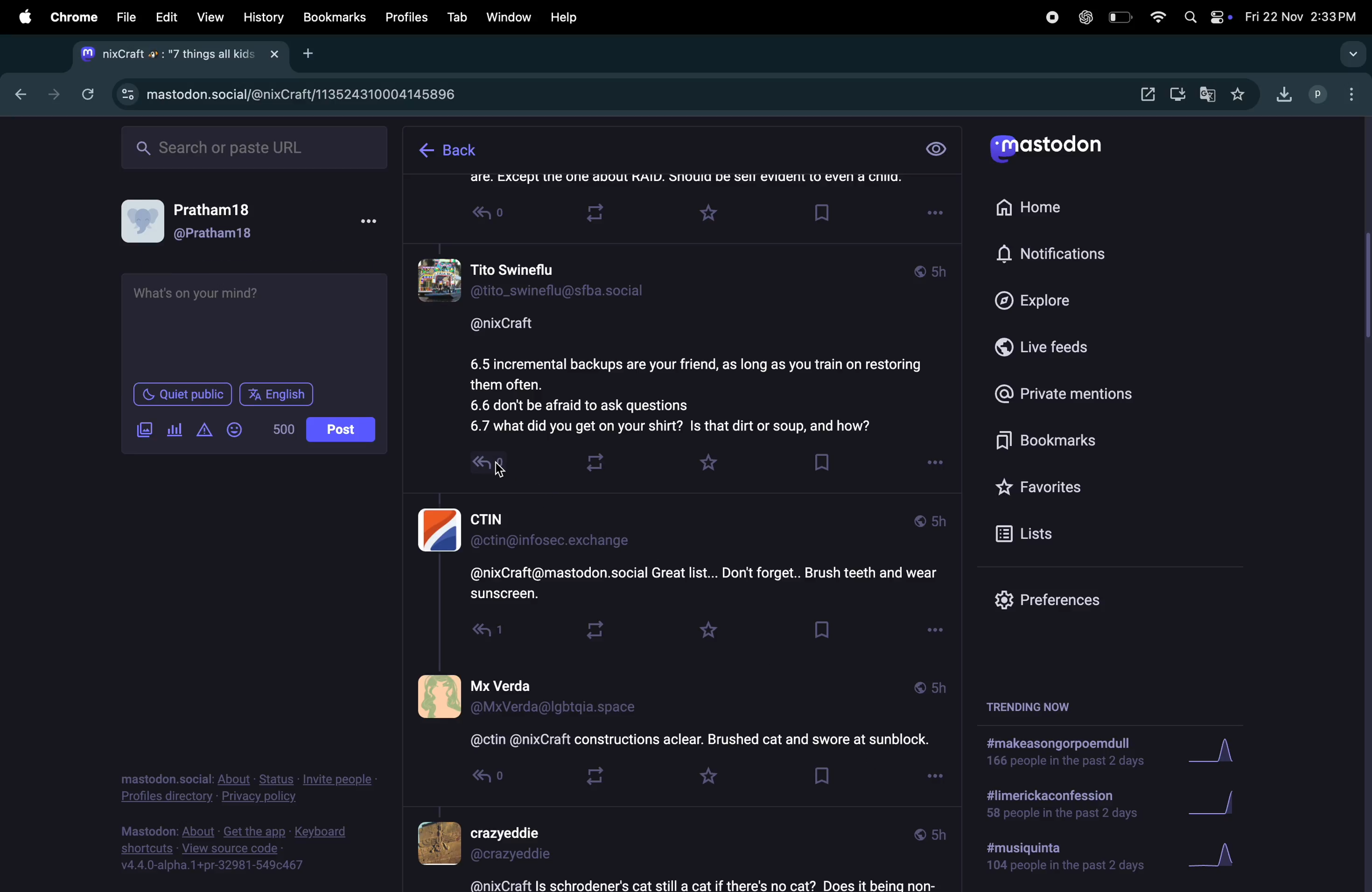  I want to click on bookmark, so click(335, 18).